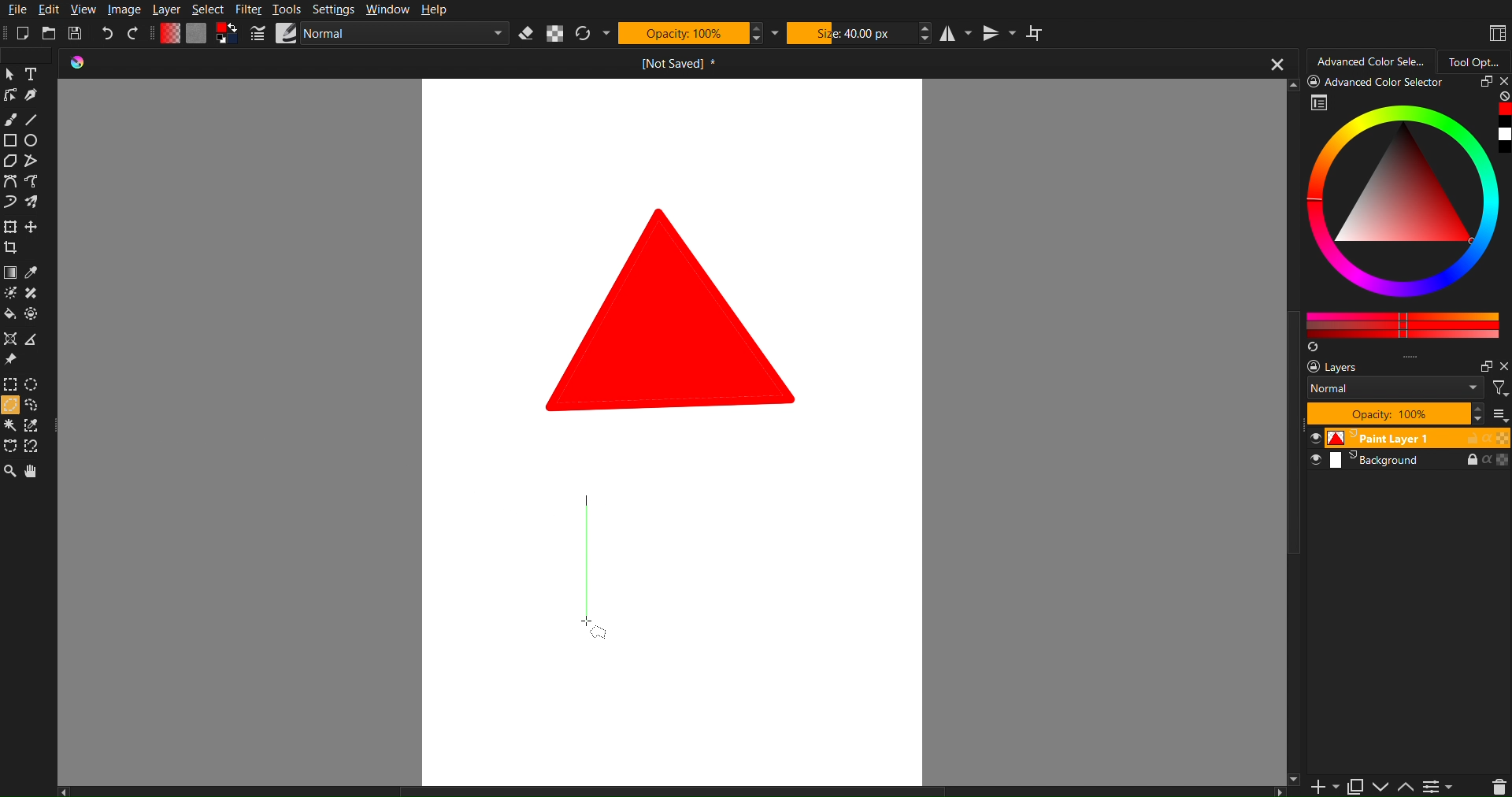 The width and height of the screenshot is (1512, 797). What do you see at coordinates (248, 9) in the screenshot?
I see `Filter` at bounding box center [248, 9].